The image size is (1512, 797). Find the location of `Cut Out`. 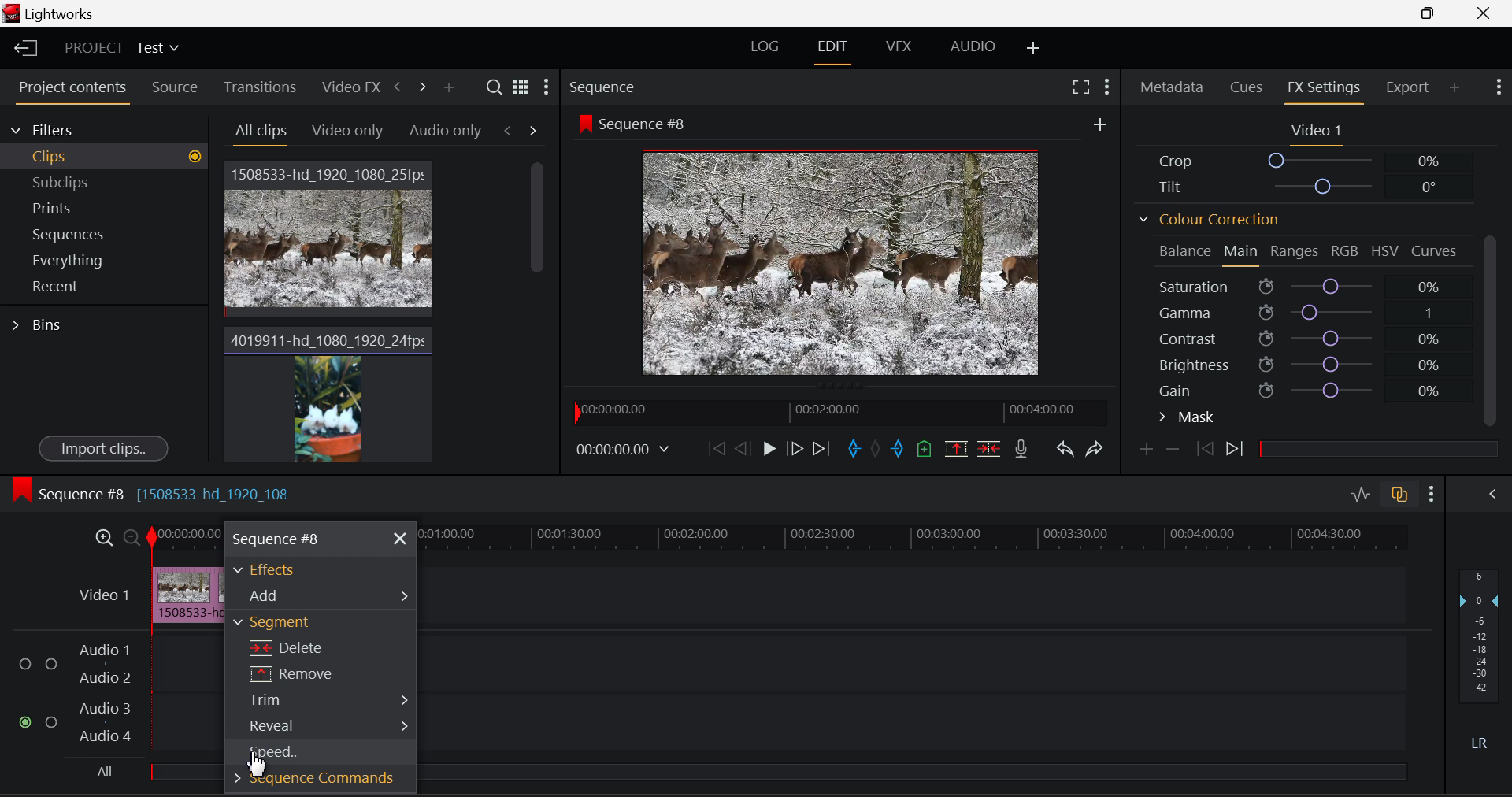

Cut Out is located at coordinates (899, 450).